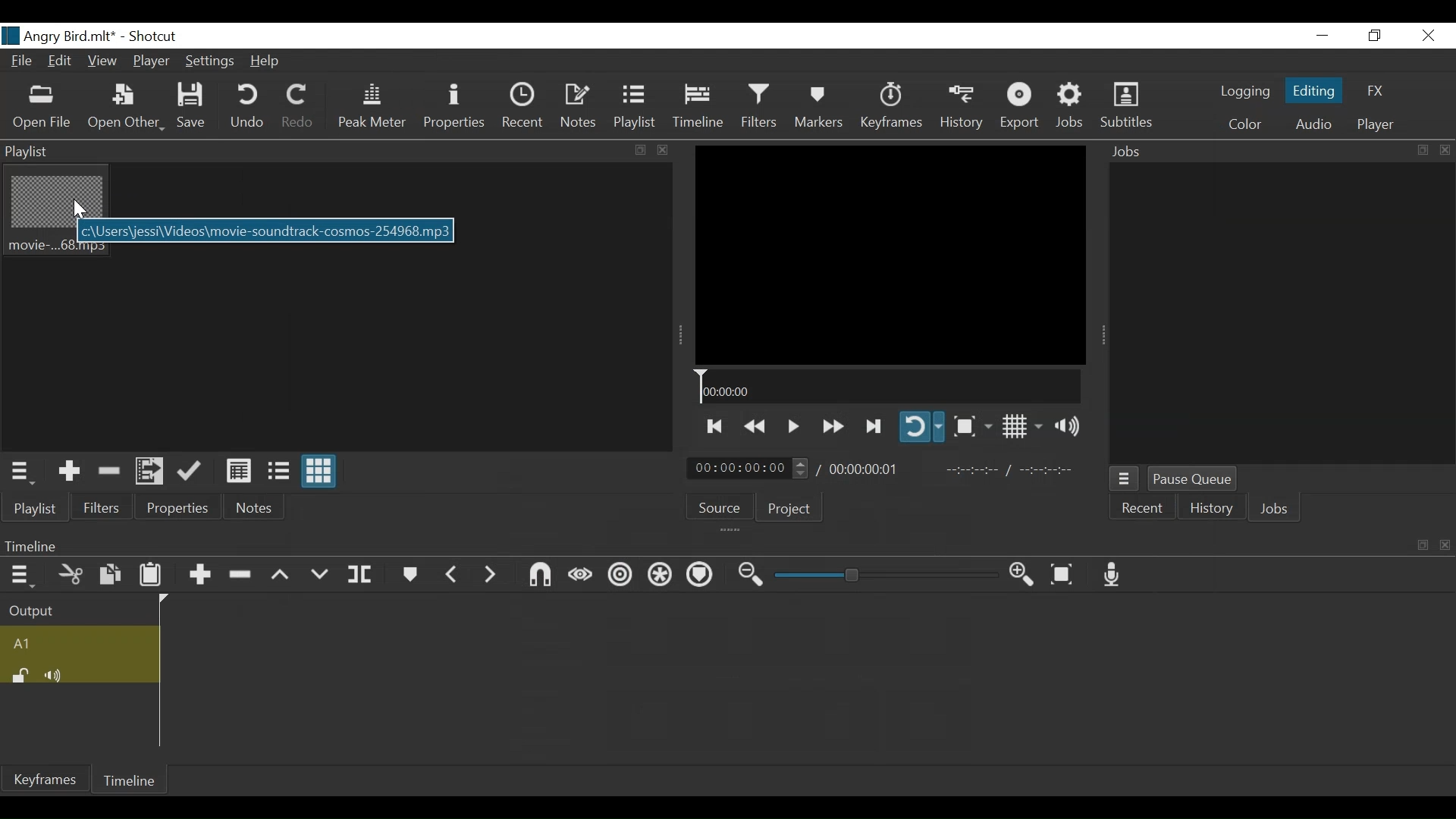  Describe the element at coordinates (266, 61) in the screenshot. I see `Help` at that location.